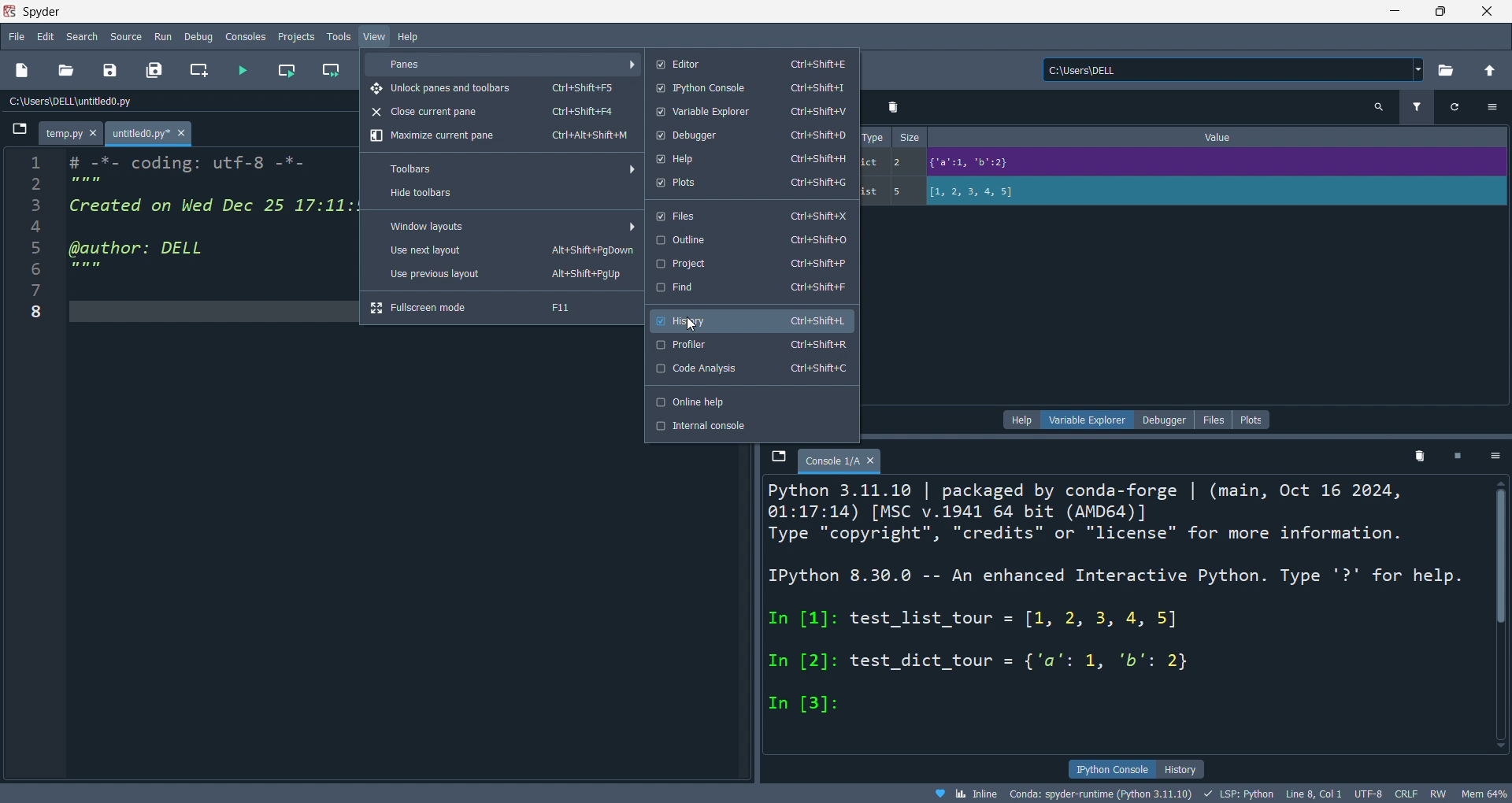 Image resolution: width=1512 pixels, height=803 pixels. Describe the element at coordinates (1223, 137) in the screenshot. I see `value` at that location.